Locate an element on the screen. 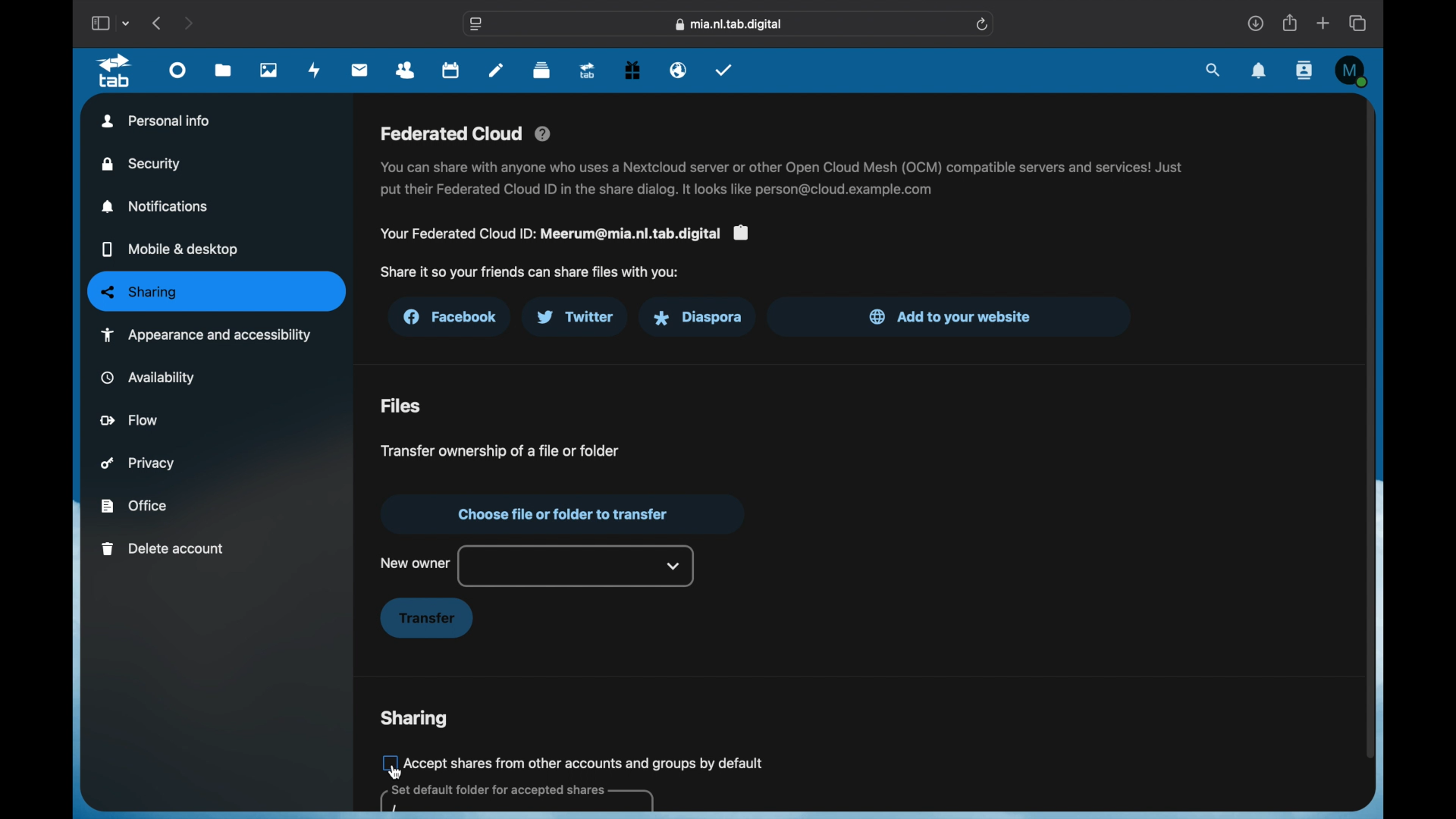 This screenshot has width=1456, height=819. scroll box is located at coordinates (1369, 428).